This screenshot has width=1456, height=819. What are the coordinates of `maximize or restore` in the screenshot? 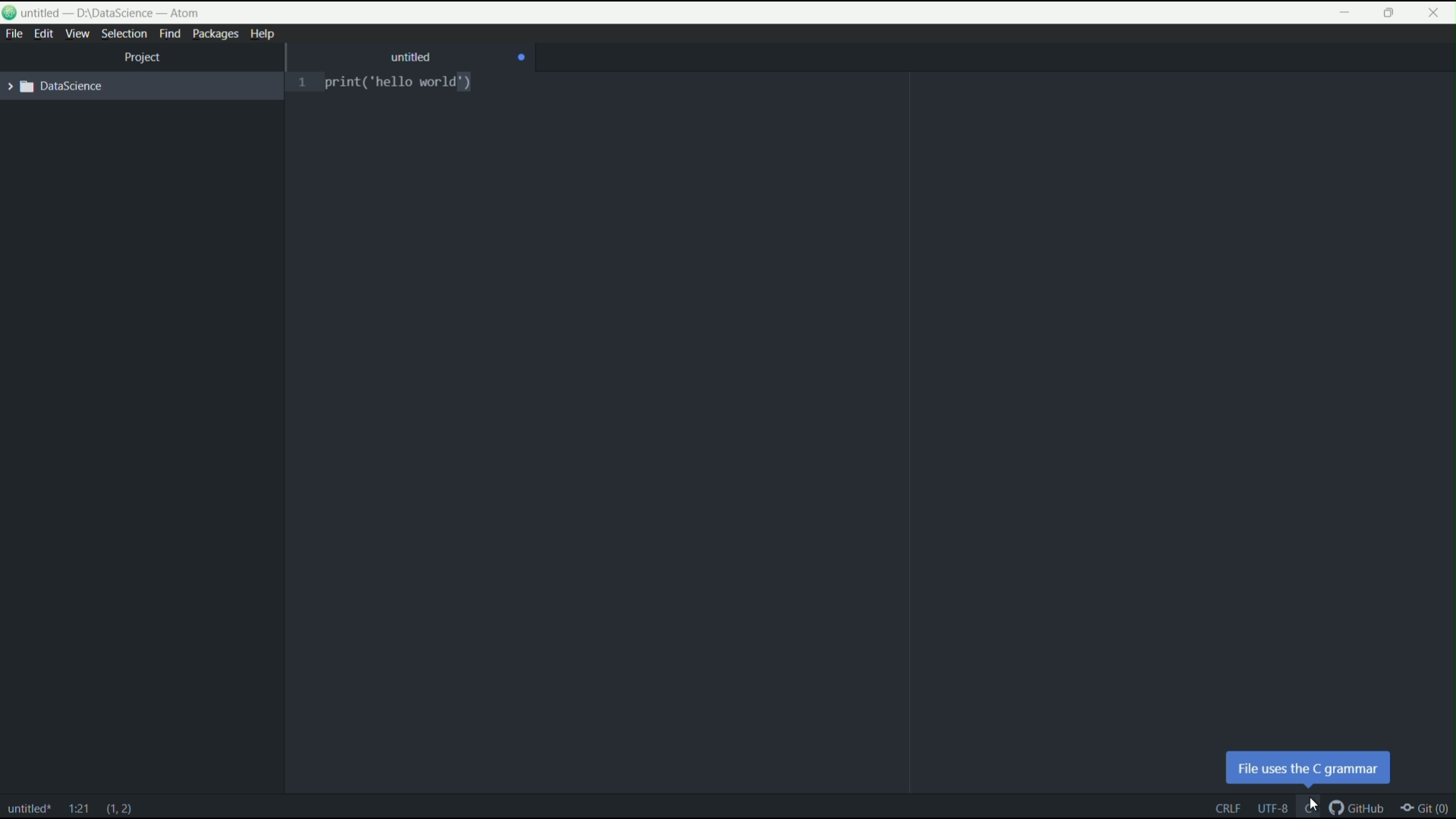 It's located at (1389, 13).